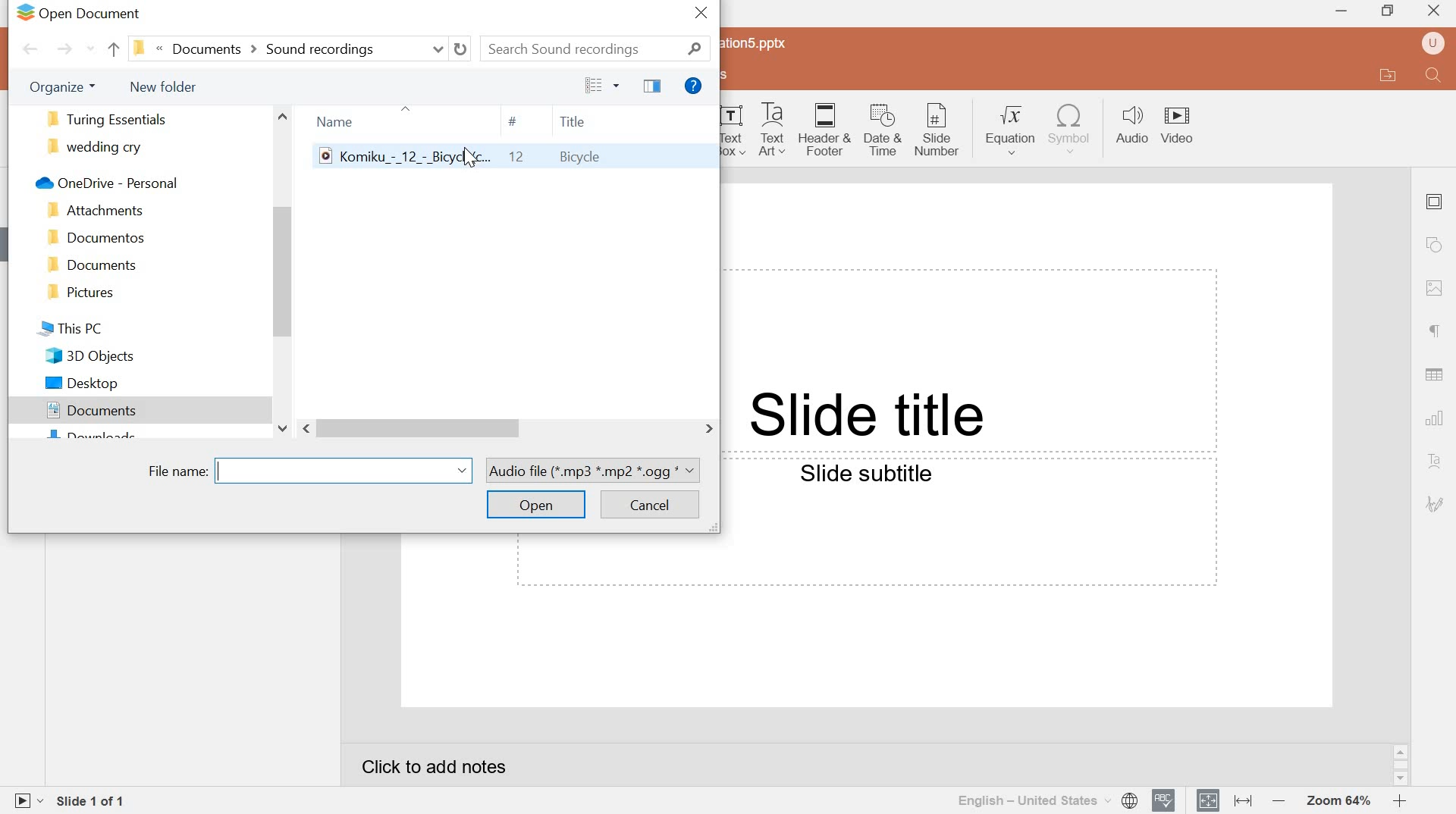 This screenshot has width=1456, height=814. I want to click on scroll down, so click(281, 428).